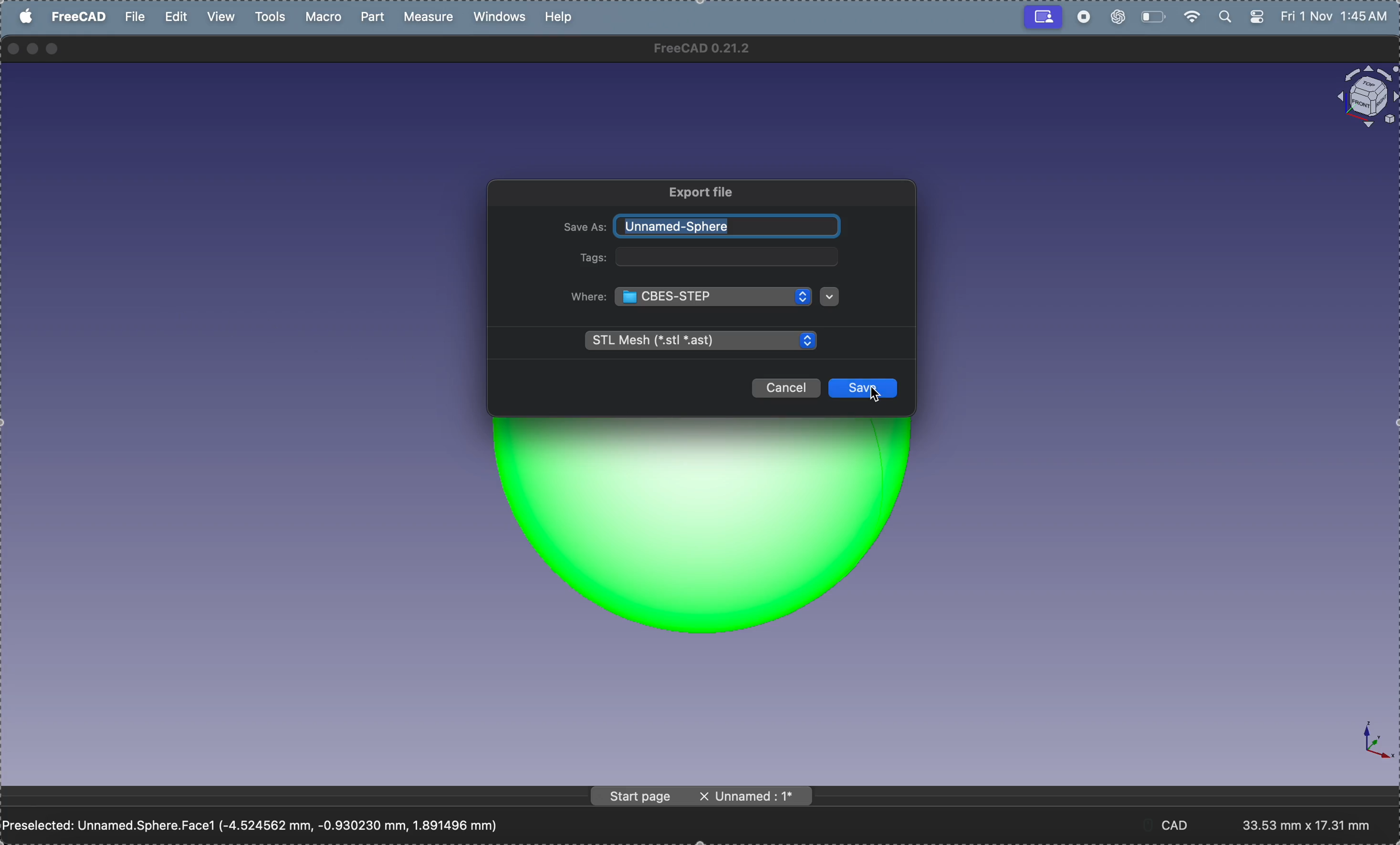 The width and height of the screenshot is (1400, 845). Describe the element at coordinates (715, 51) in the screenshot. I see `free cad 0.21.2` at that location.